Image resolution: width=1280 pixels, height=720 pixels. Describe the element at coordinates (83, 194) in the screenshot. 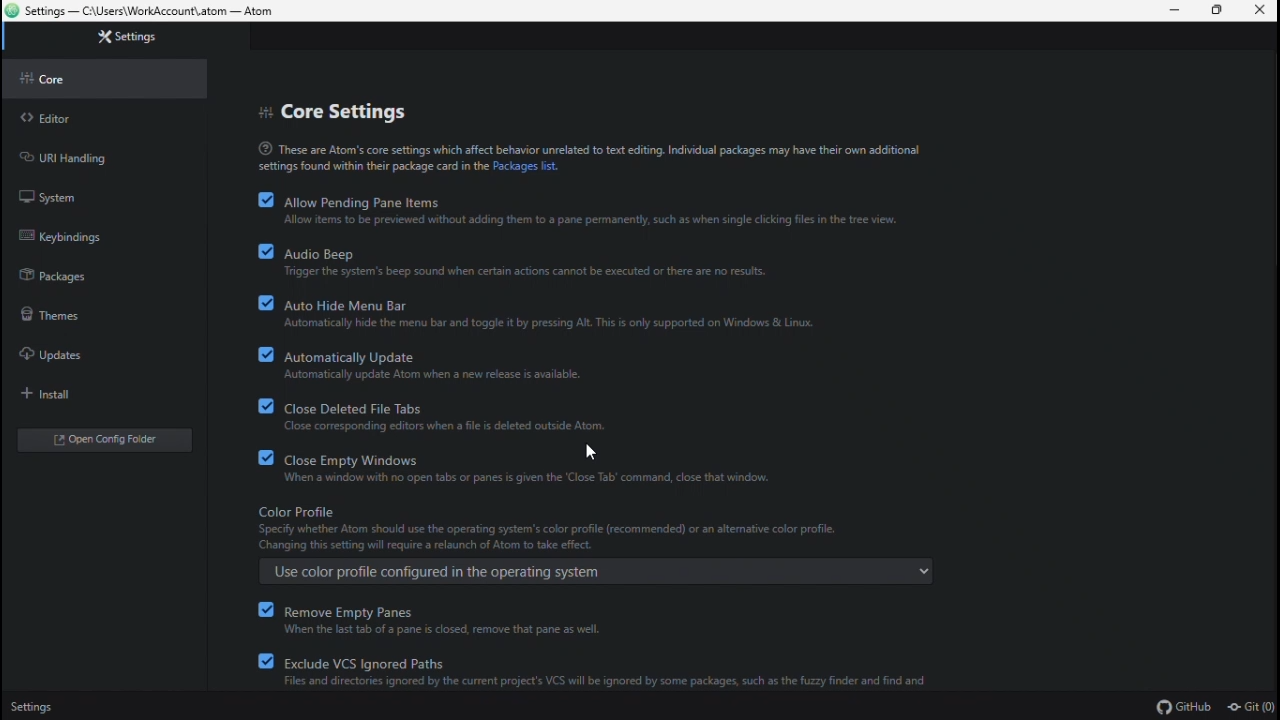

I see `system` at that location.